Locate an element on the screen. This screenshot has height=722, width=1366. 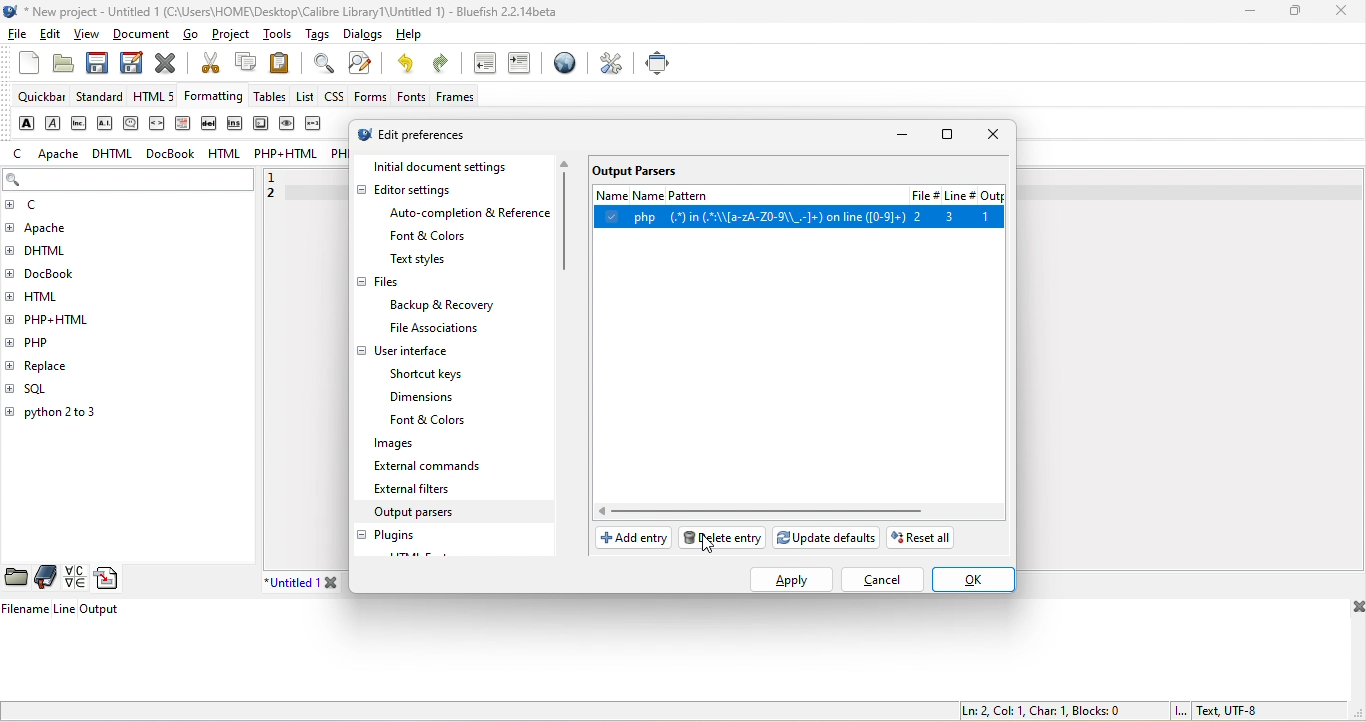
minimize is located at coordinates (1247, 12).